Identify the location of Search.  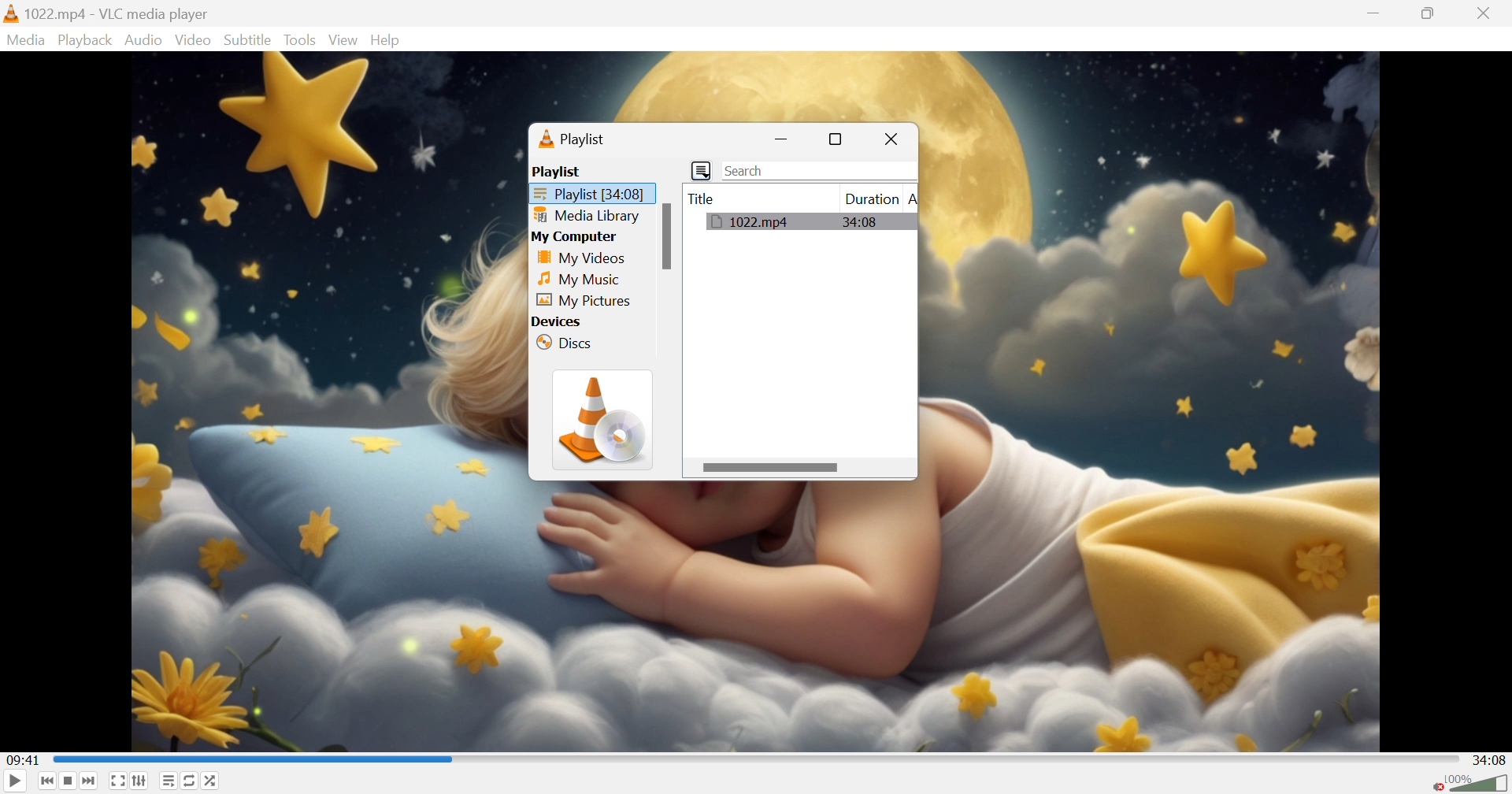
(732, 169).